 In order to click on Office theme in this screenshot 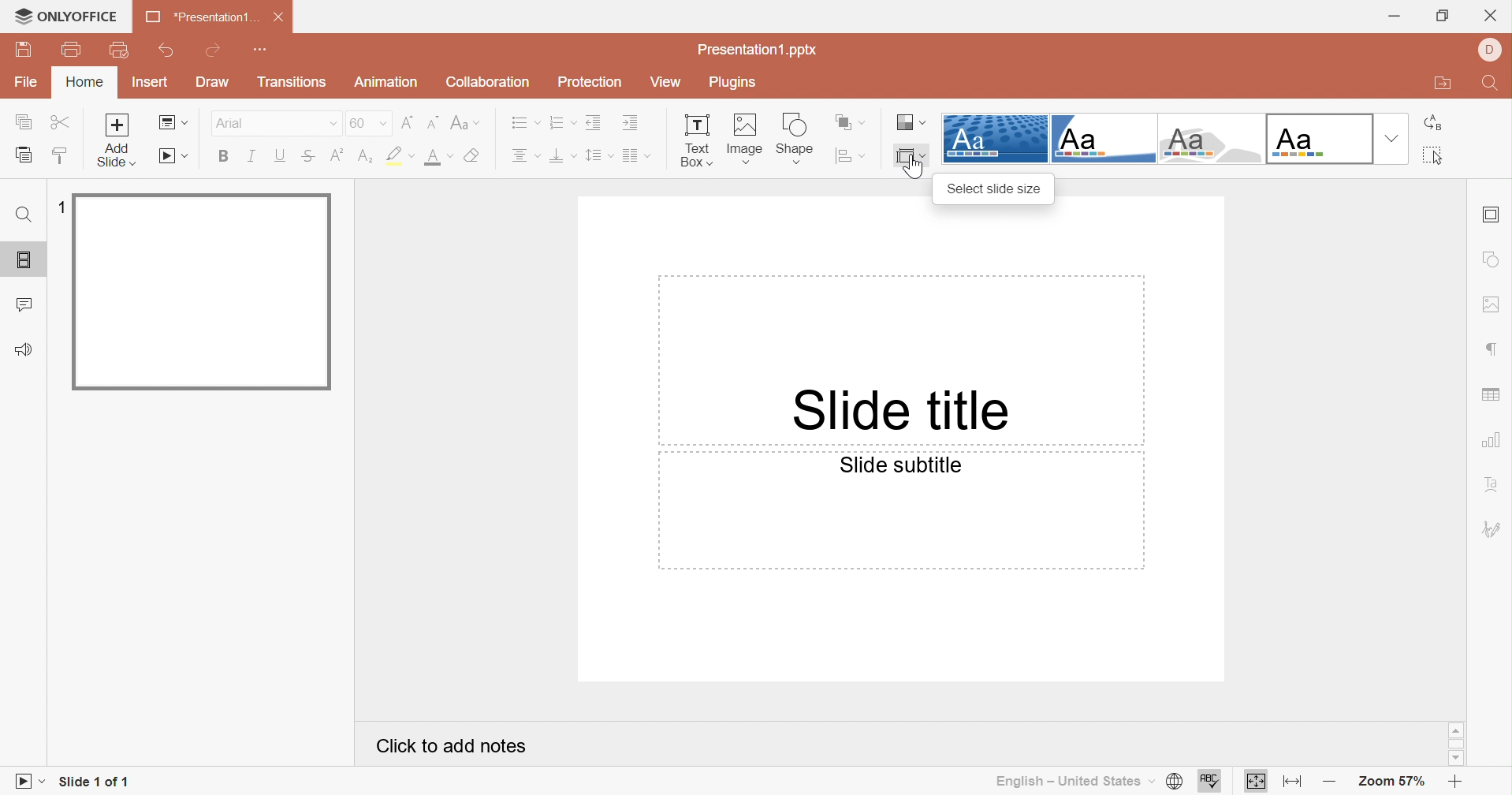, I will do `click(1316, 137)`.